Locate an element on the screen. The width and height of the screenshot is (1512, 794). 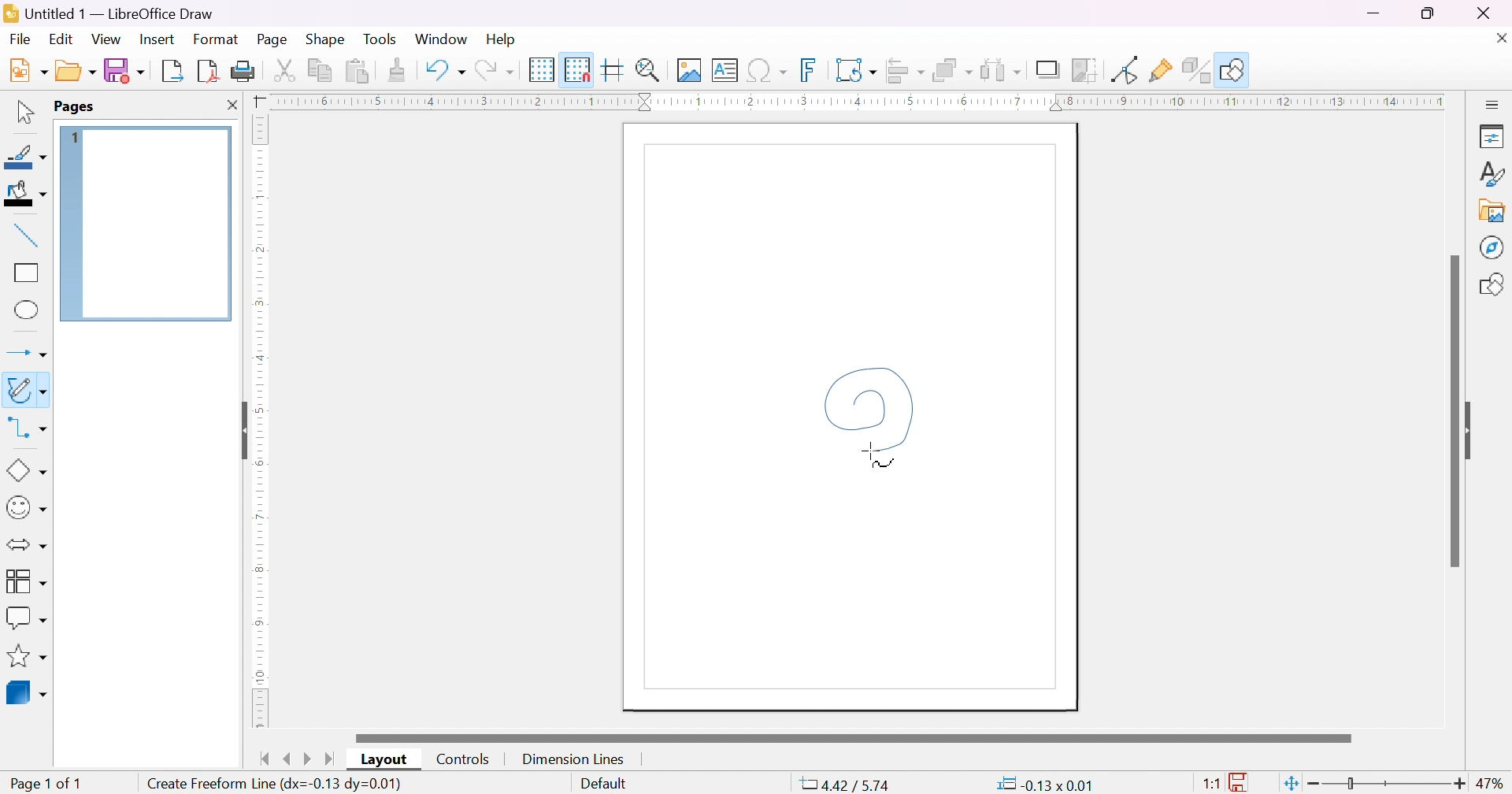
gallery is located at coordinates (1492, 211).